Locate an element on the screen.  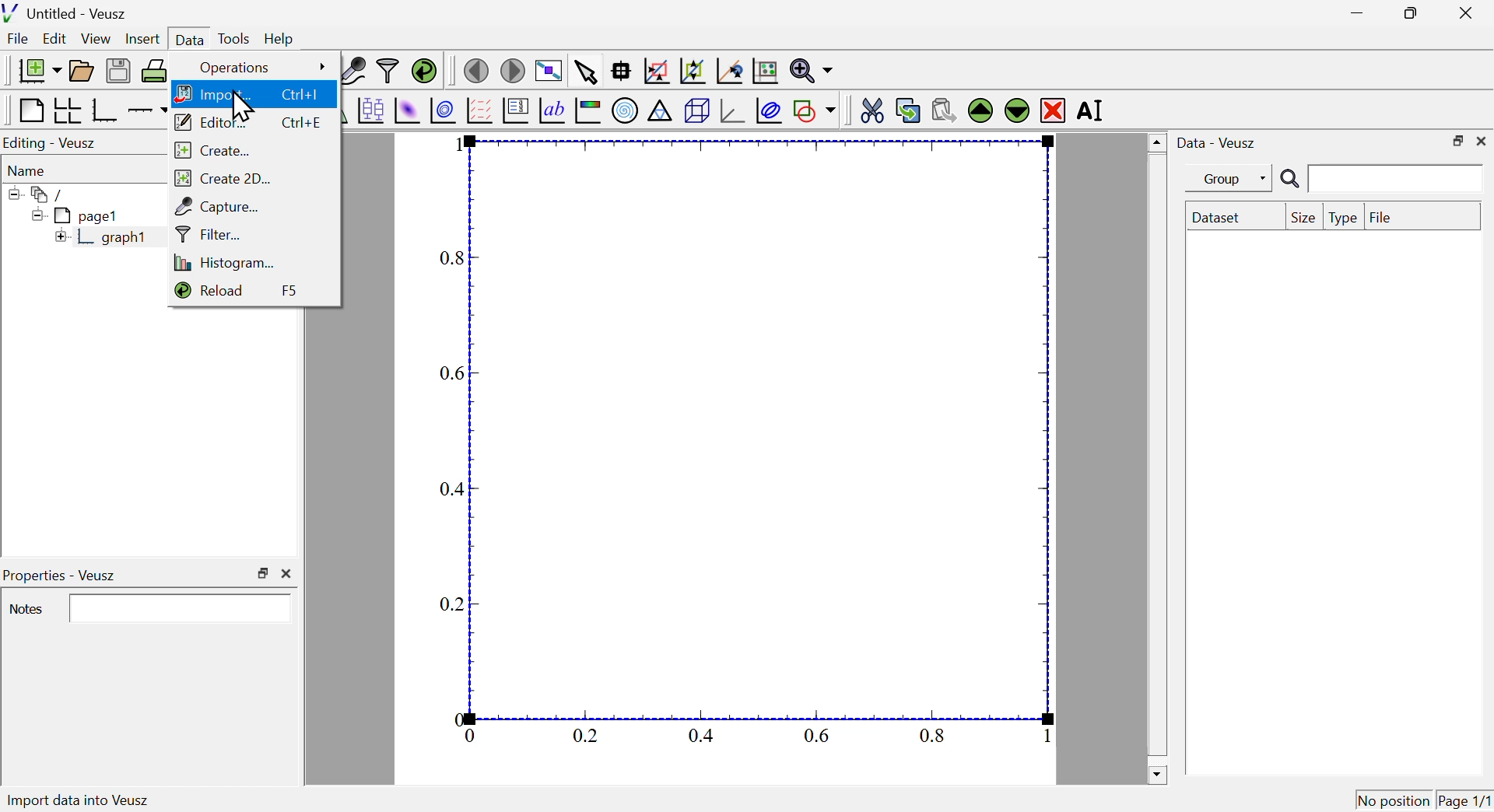
maximize is located at coordinates (1407, 14).